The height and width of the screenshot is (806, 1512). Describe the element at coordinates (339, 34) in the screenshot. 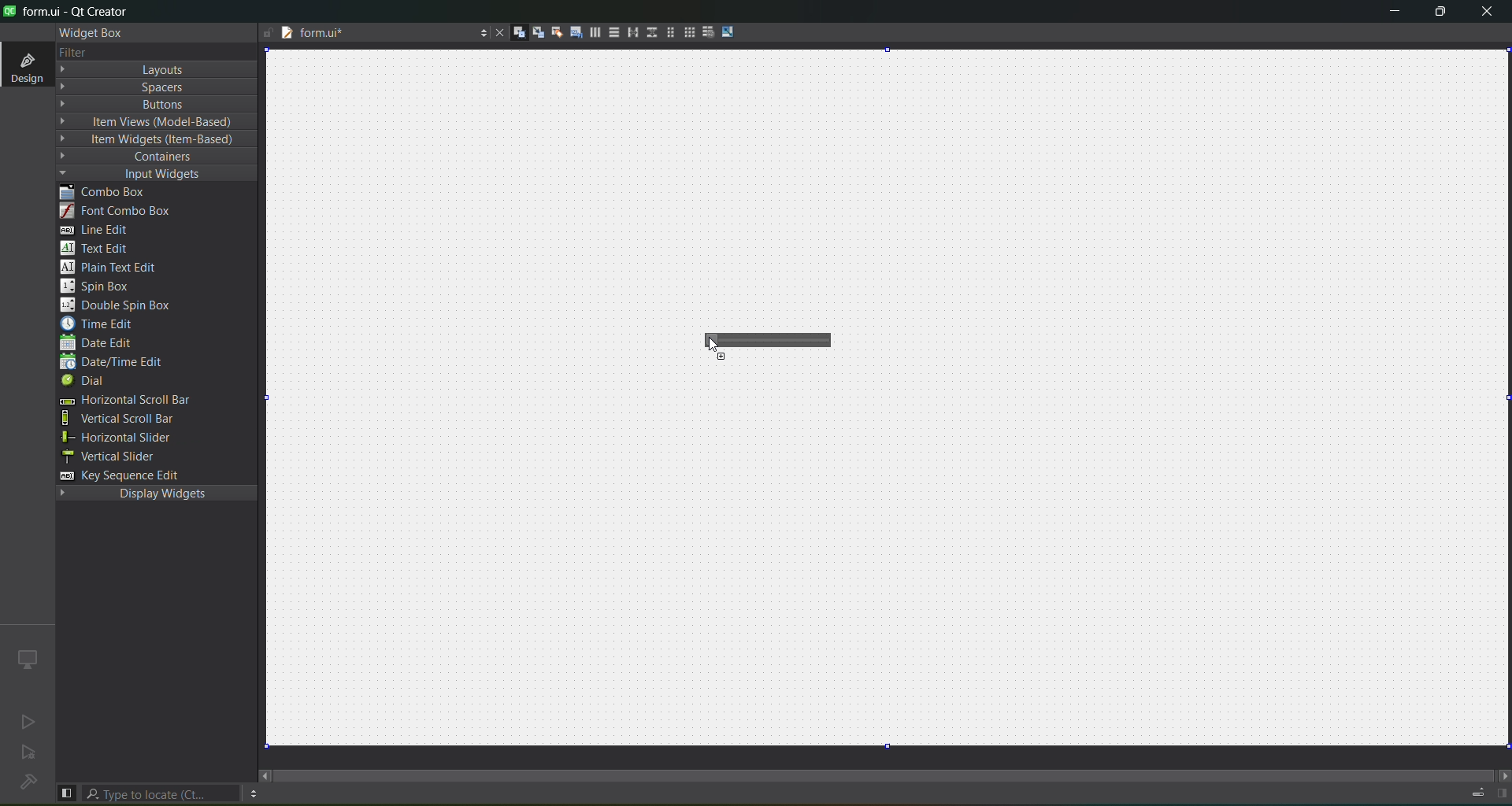

I see `tab name` at that location.